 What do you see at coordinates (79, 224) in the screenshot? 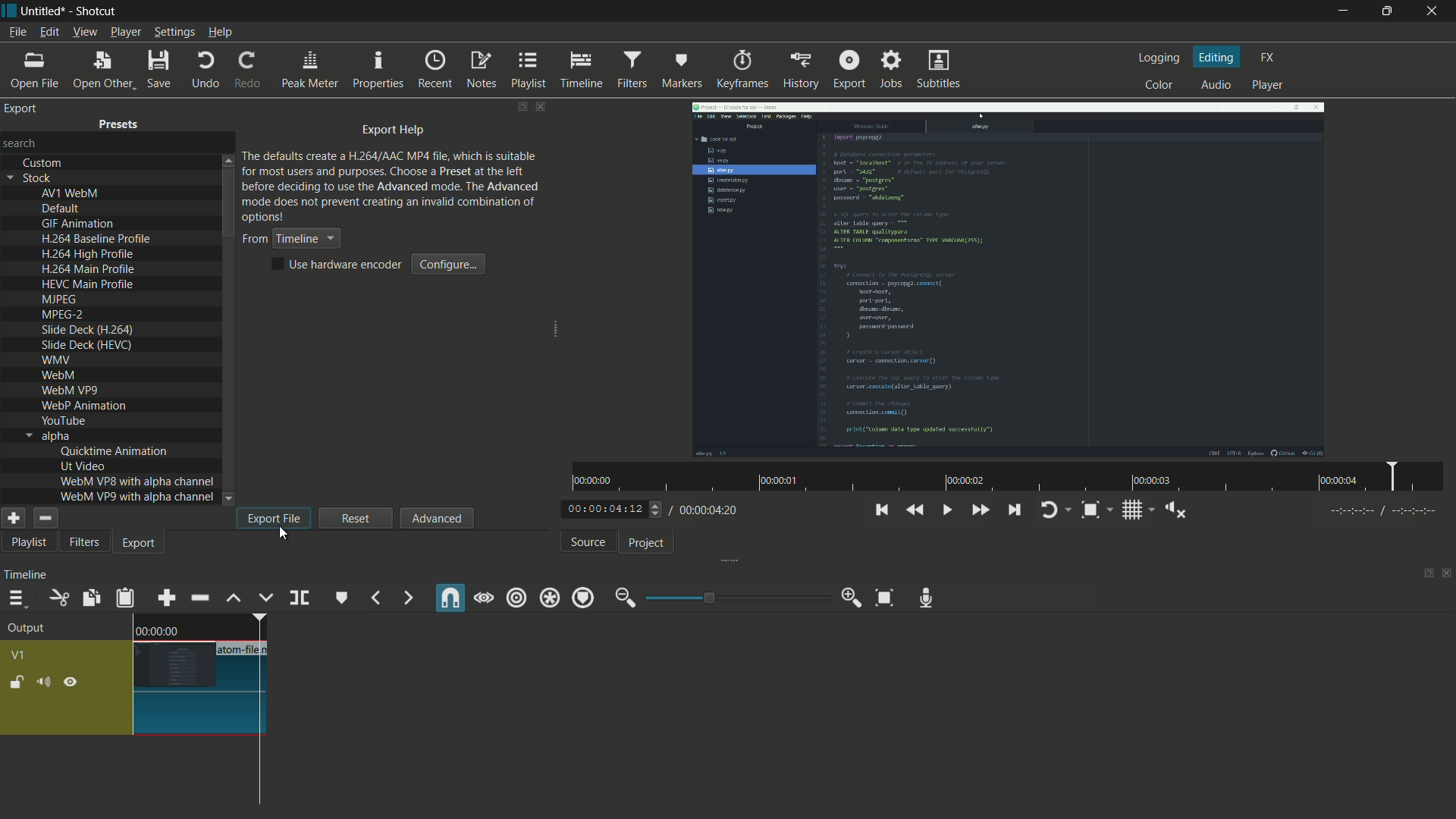
I see `gif animation` at bounding box center [79, 224].